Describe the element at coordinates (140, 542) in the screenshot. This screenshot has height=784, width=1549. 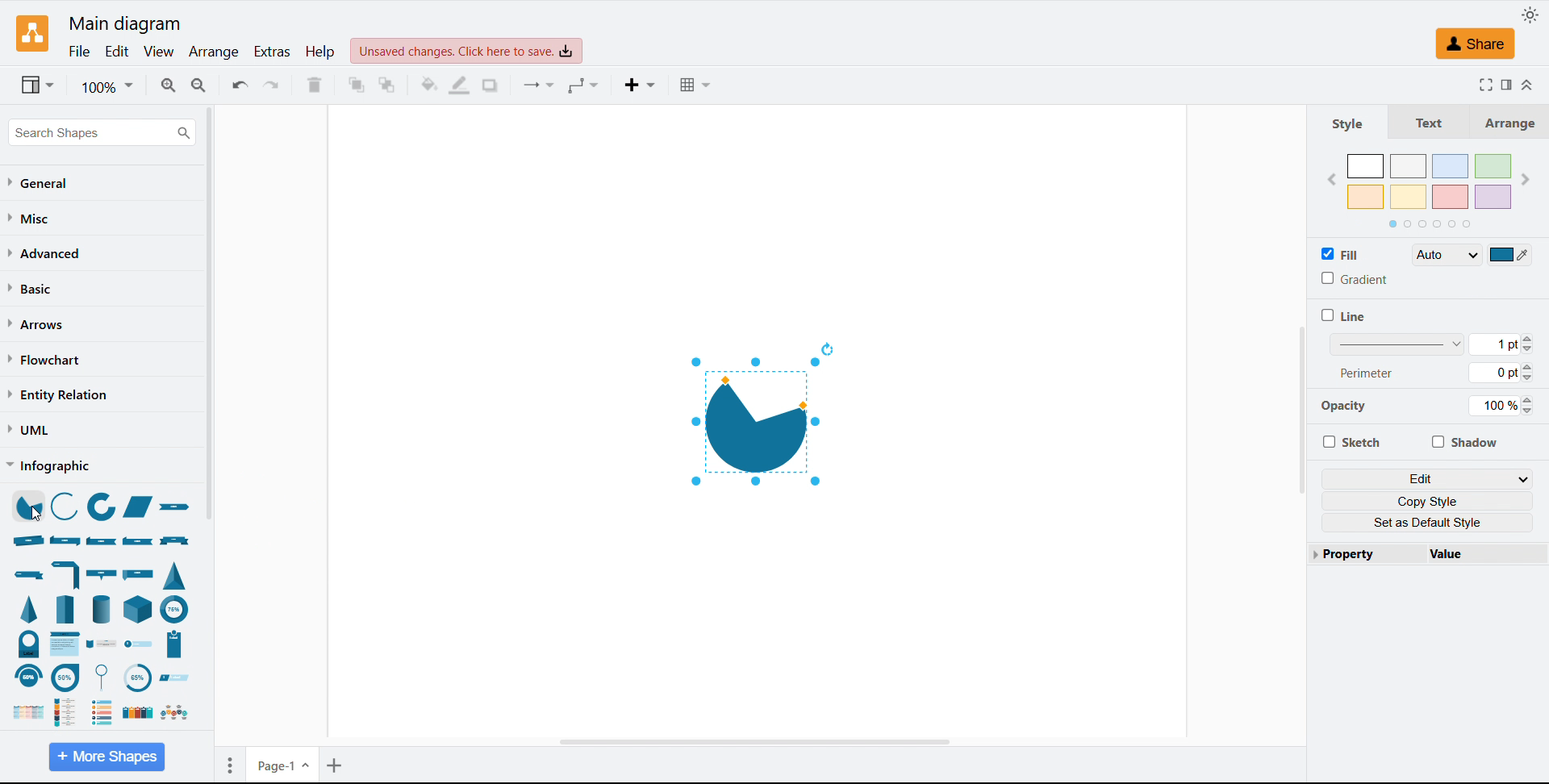
I see `ribbon back folded` at that location.